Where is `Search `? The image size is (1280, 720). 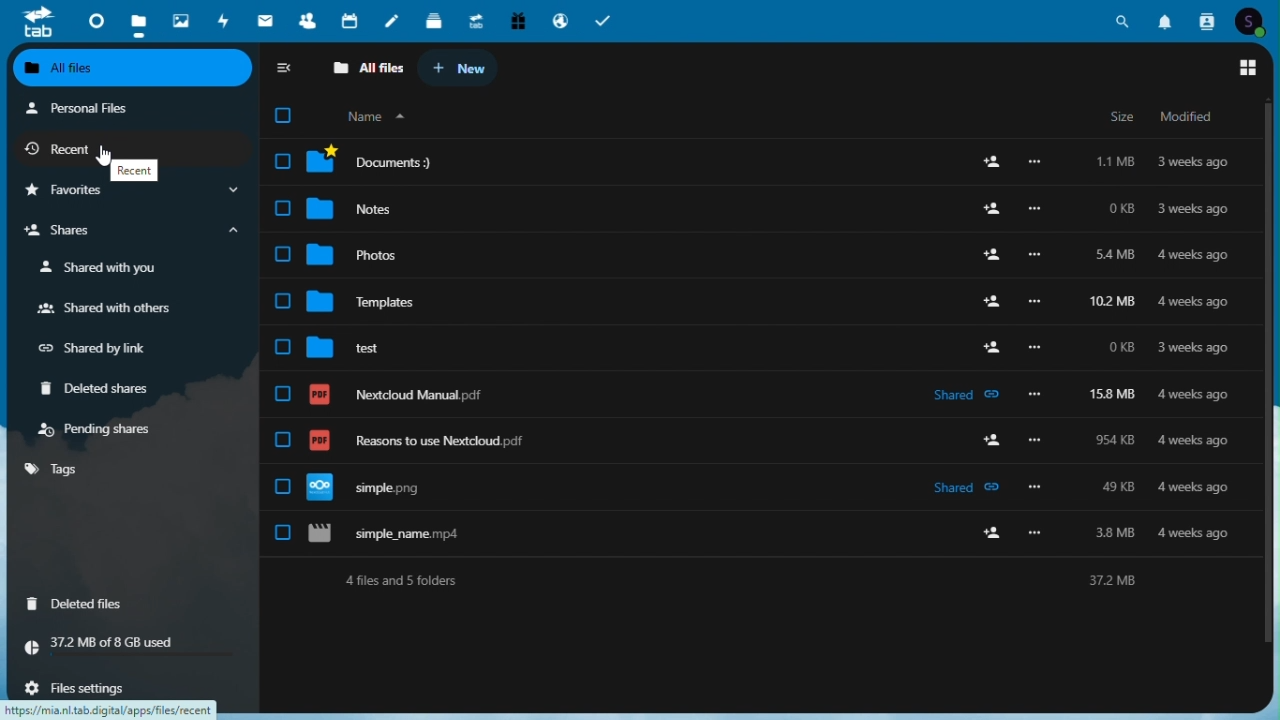
Search  is located at coordinates (1126, 19).